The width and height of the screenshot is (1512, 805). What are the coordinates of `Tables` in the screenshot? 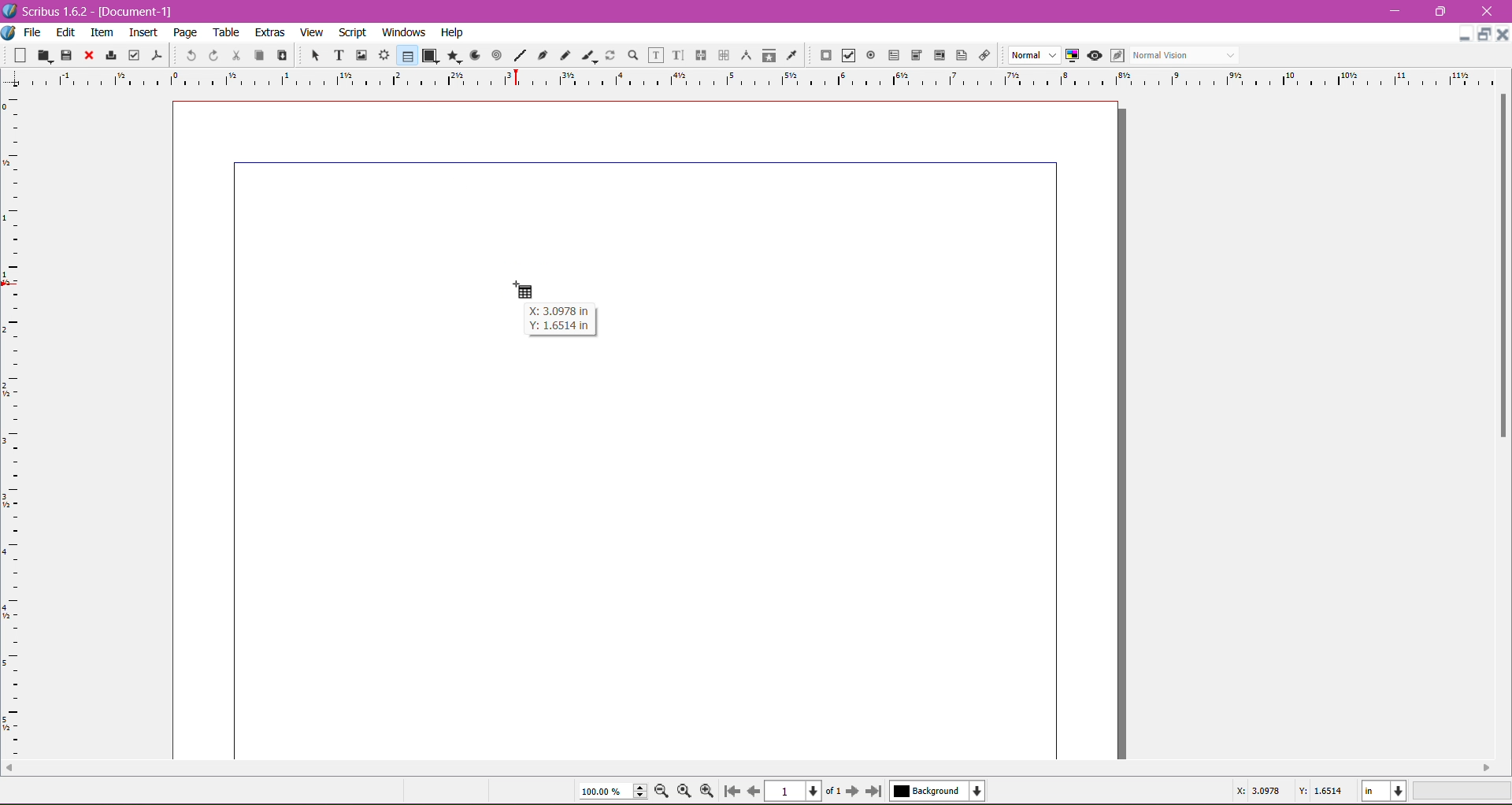 It's located at (406, 55).